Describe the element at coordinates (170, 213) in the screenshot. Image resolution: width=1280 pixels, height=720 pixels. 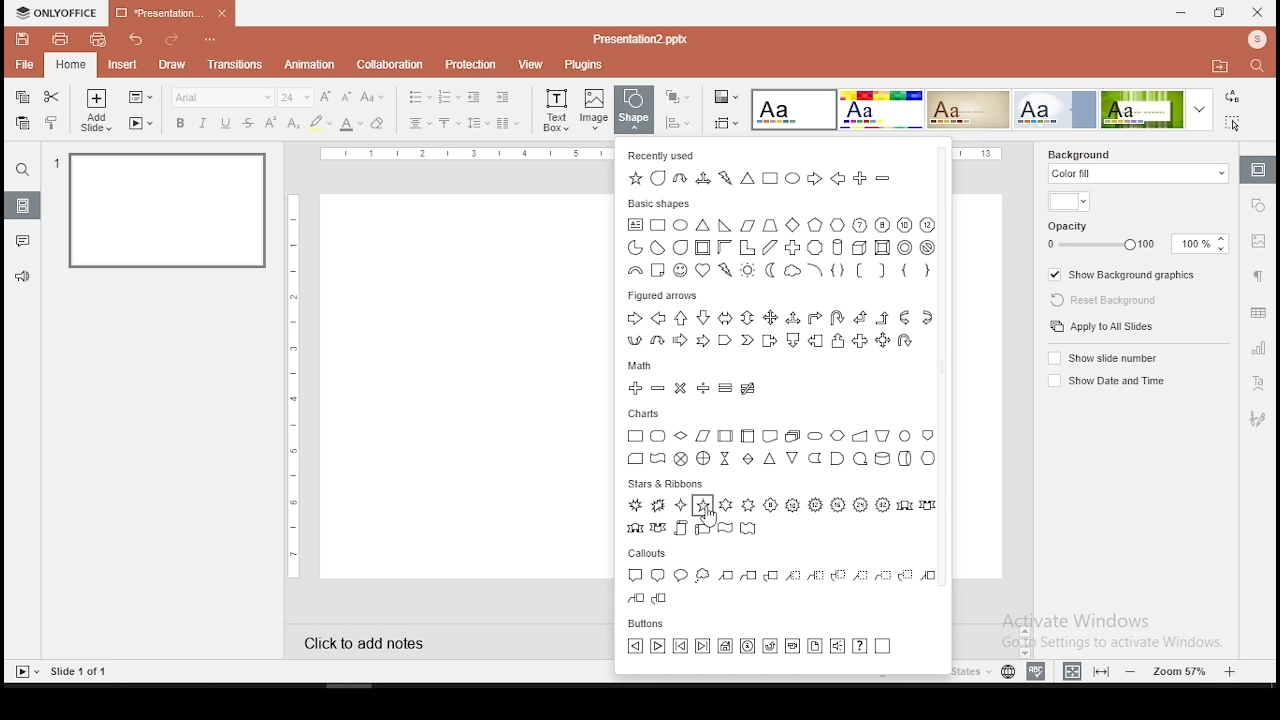
I see `slide 1` at that location.